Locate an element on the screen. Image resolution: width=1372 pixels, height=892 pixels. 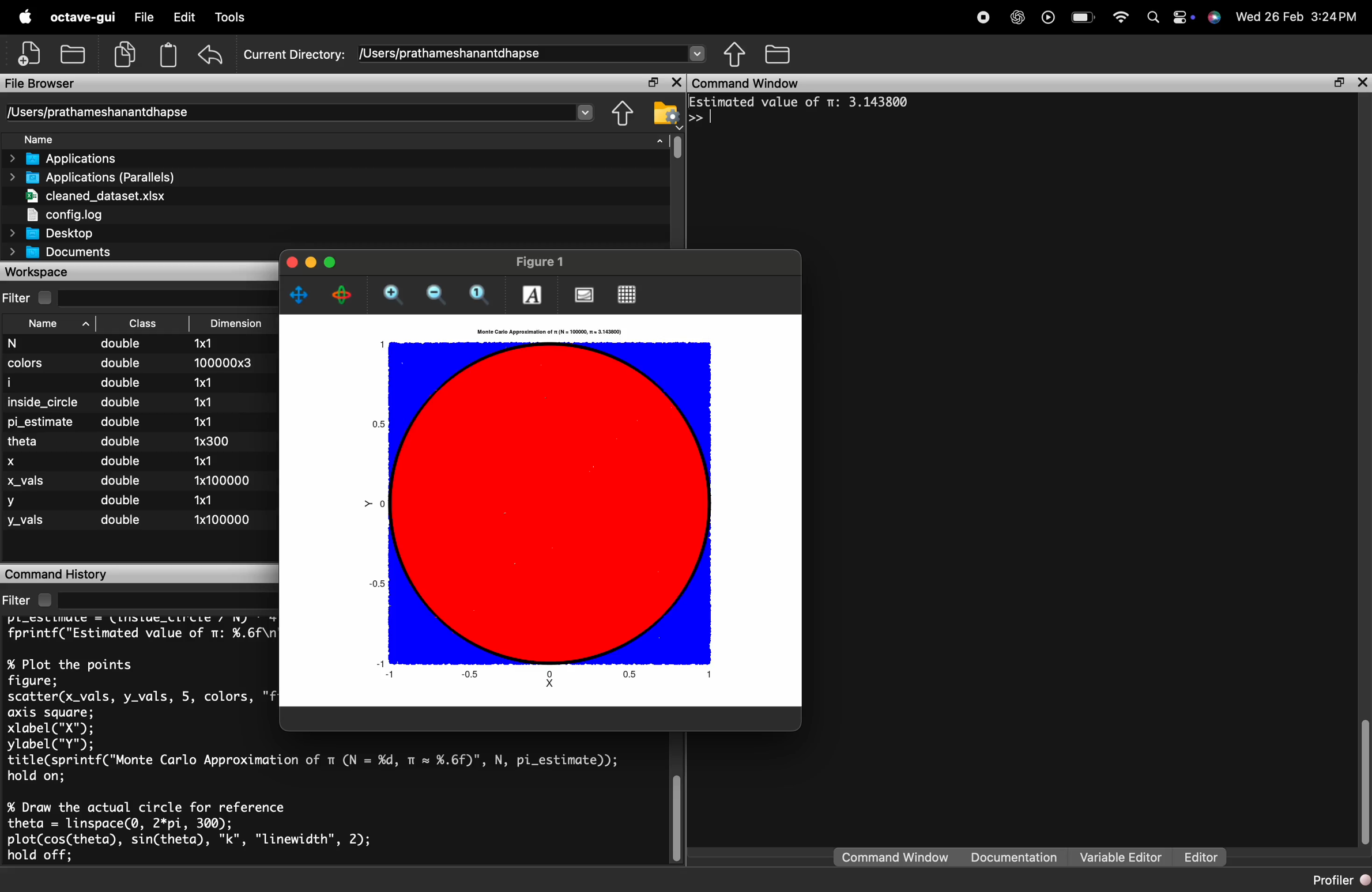
Users/prathameshanantdhapse  is located at coordinates (533, 53).